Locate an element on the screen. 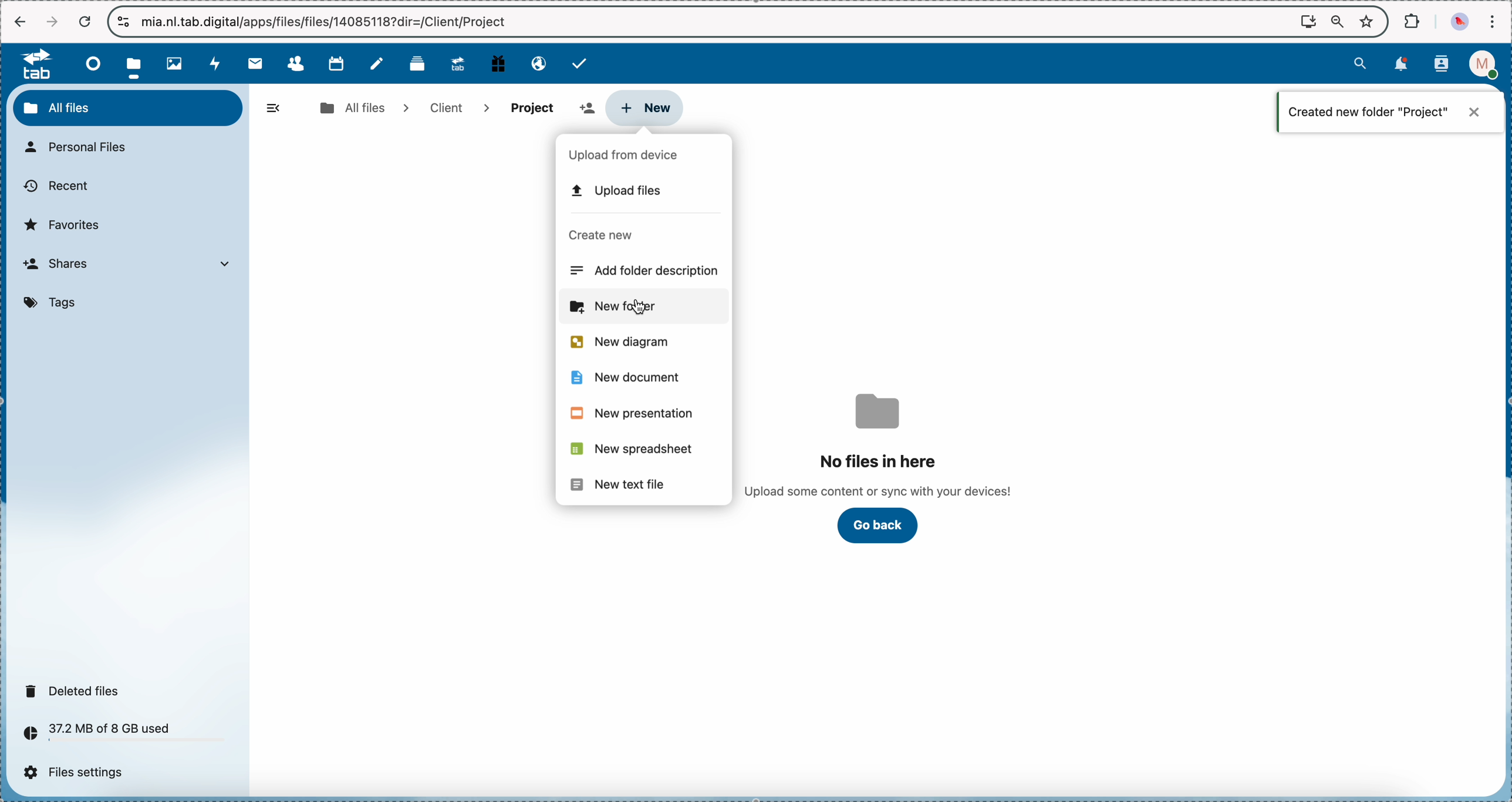 The width and height of the screenshot is (1512, 802). no files in here is located at coordinates (880, 445).